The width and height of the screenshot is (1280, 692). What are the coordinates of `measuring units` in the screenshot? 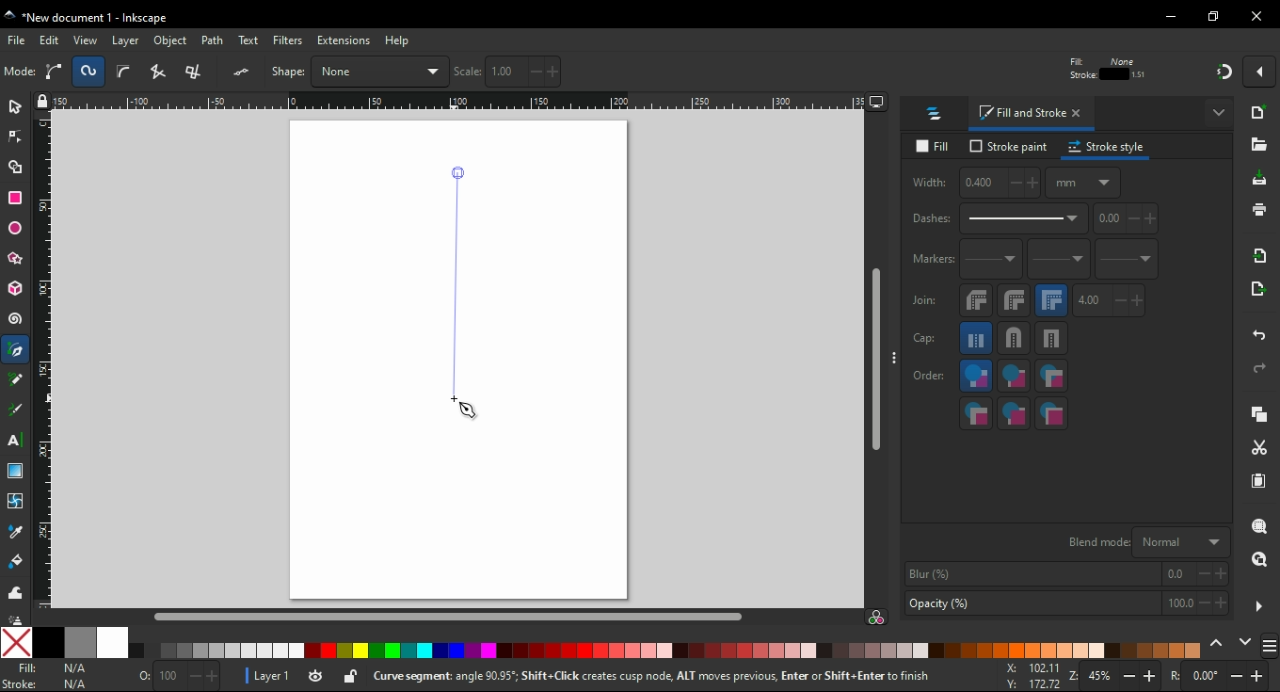 It's located at (1083, 182).